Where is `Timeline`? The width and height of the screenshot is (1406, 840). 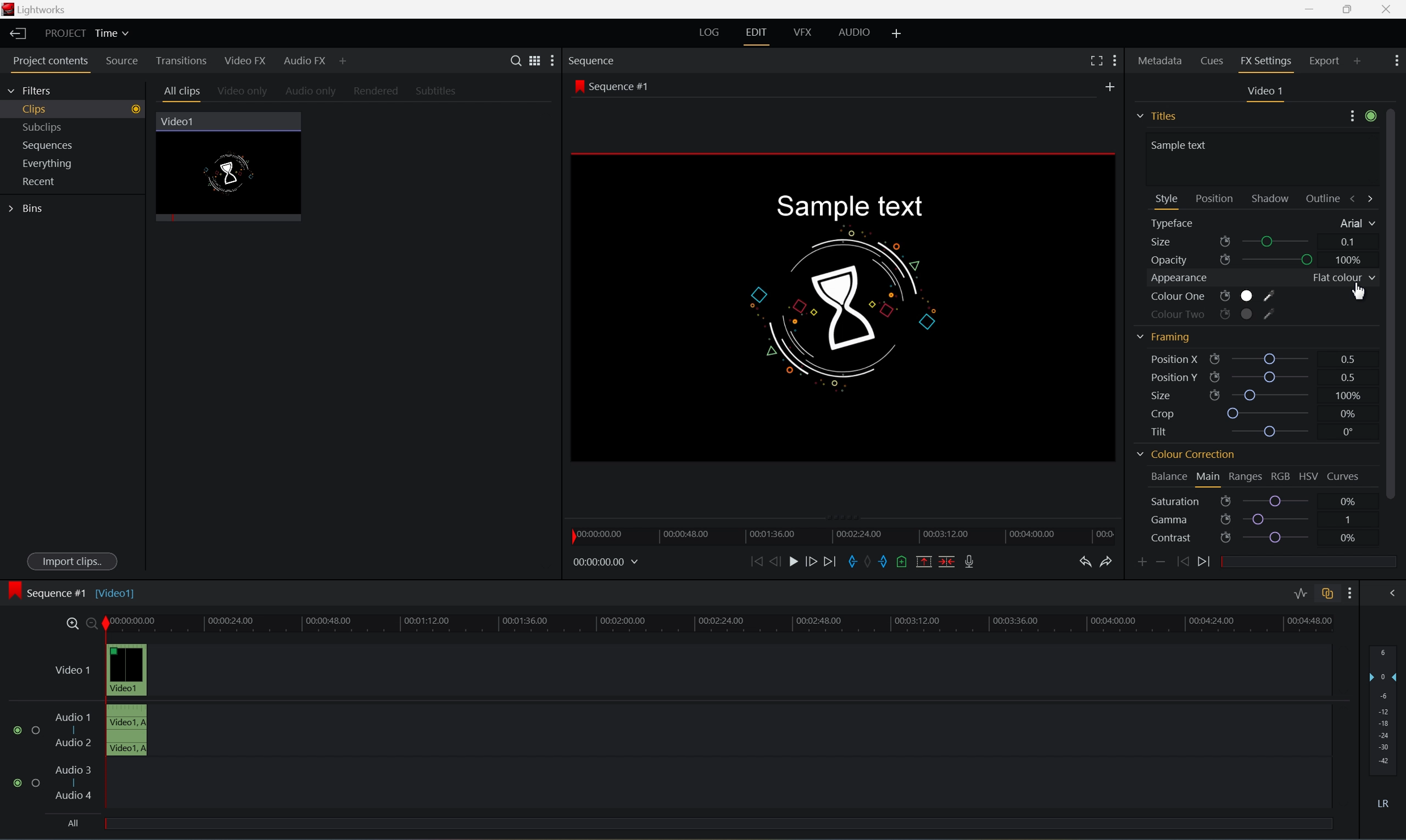
Timeline is located at coordinates (720, 622).